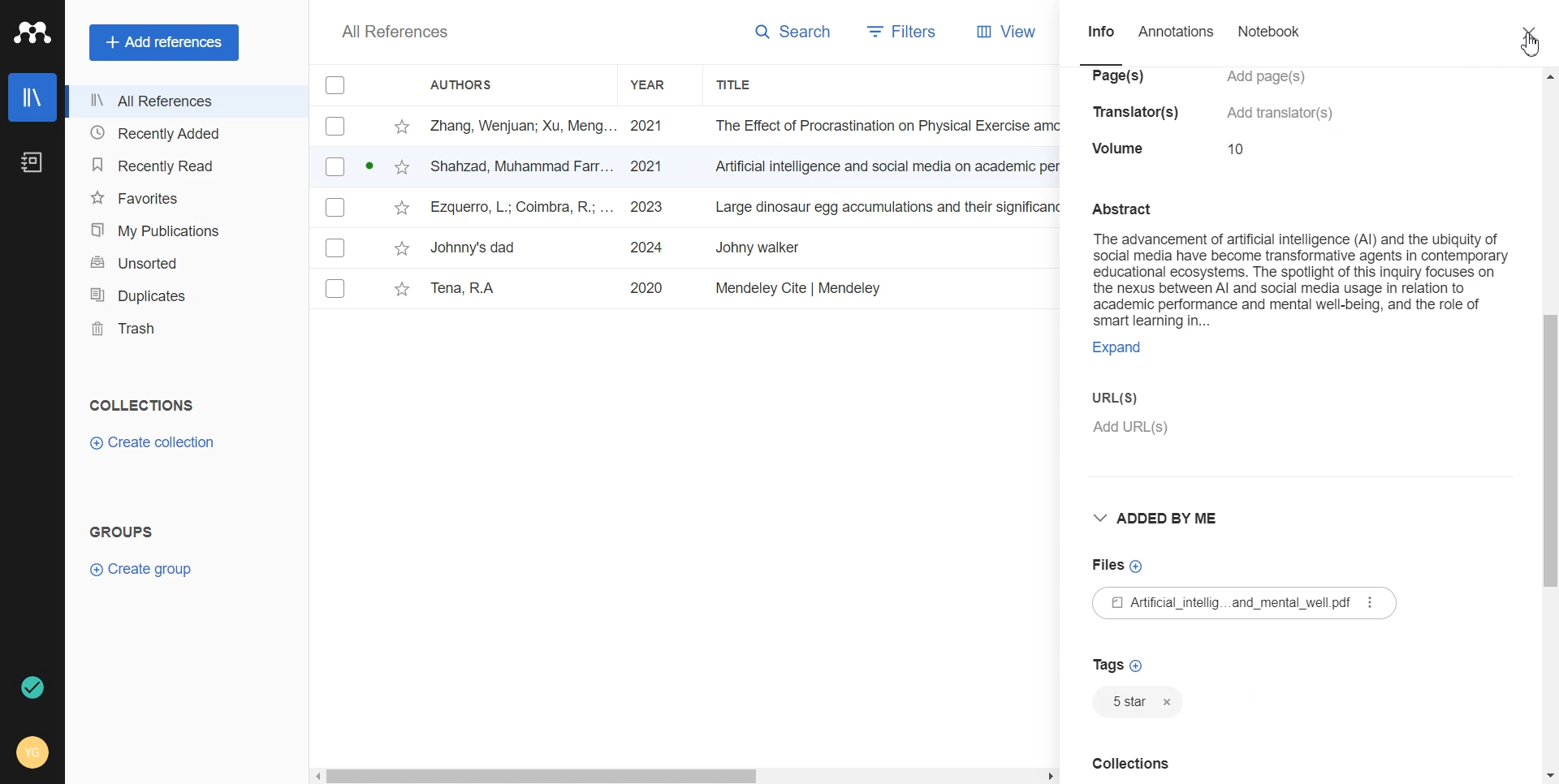  Describe the element at coordinates (143, 405) in the screenshot. I see `Collection` at that location.